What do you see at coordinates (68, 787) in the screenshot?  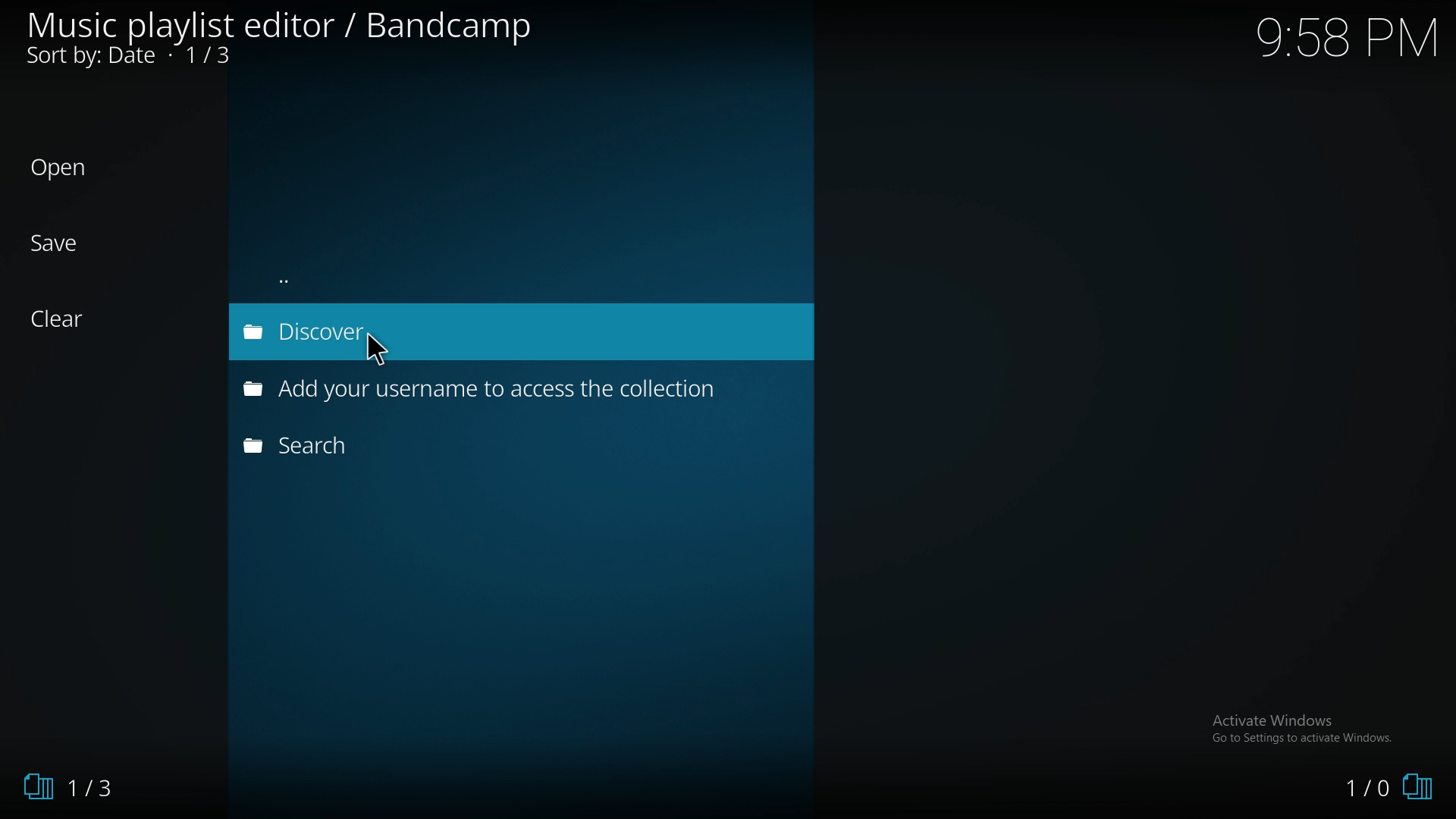 I see `1/3` at bounding box center [68, 787].